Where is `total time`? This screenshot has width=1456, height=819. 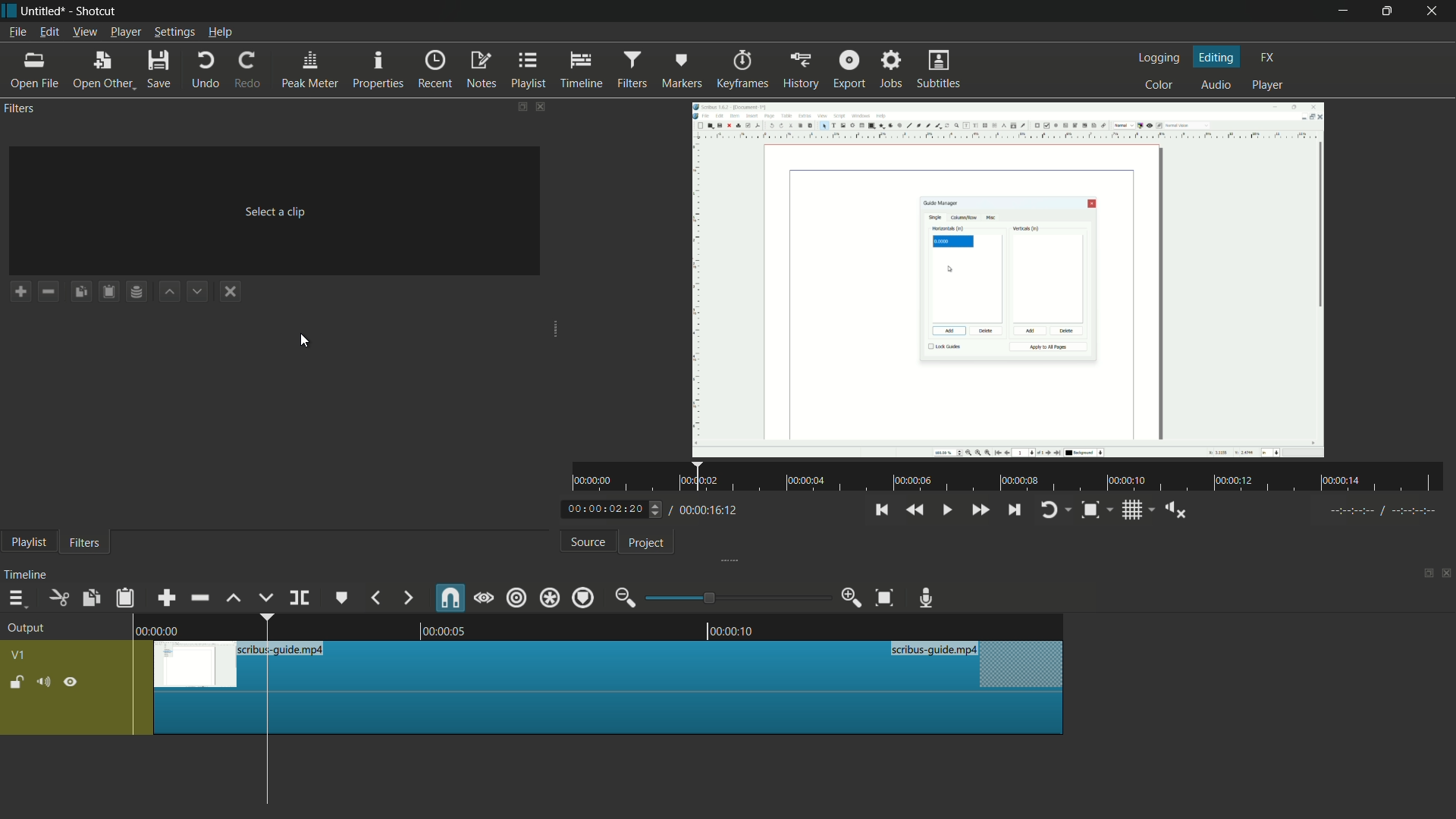 total time is located at coordinates (704, 510).